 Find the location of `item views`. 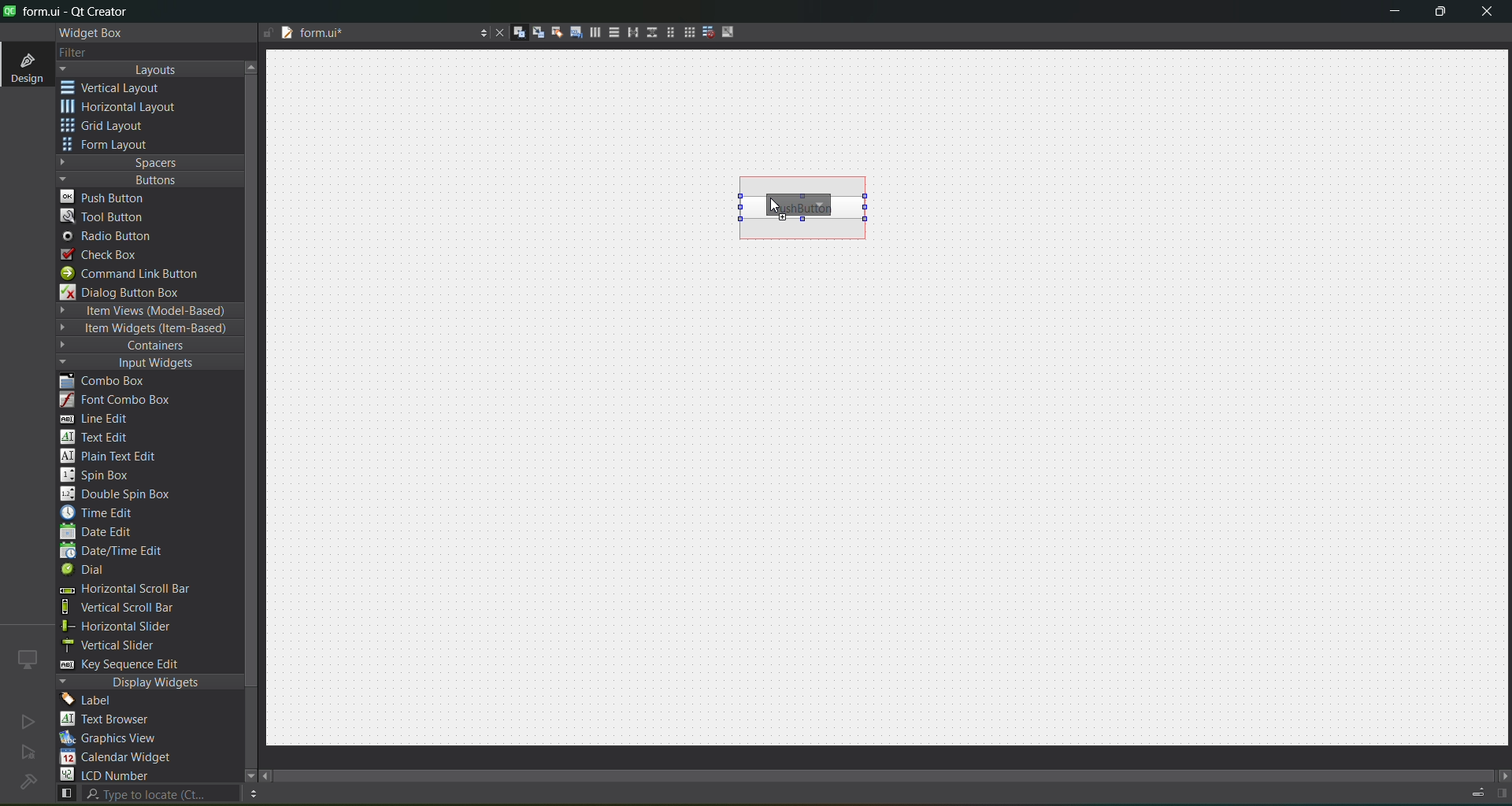

item views is located at coordinates (148, 312).